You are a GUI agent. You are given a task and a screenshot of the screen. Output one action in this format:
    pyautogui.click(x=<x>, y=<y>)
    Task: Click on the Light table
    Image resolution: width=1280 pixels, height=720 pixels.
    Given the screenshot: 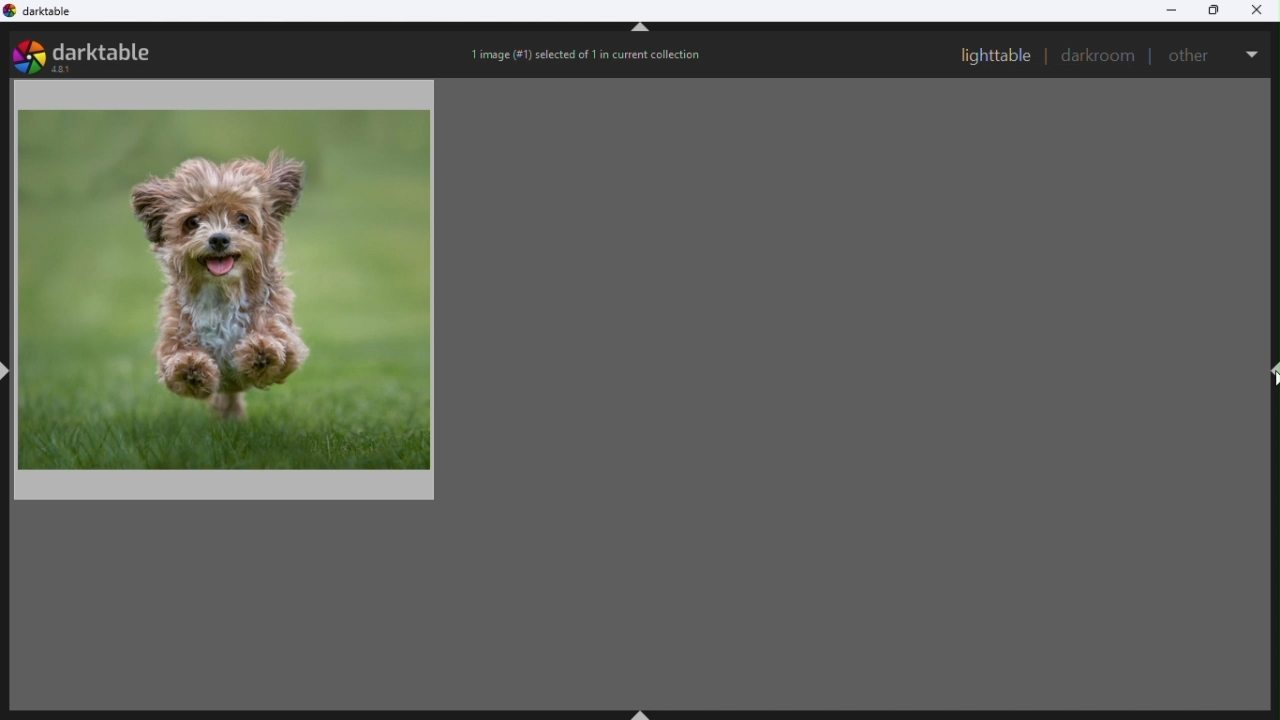 What is the action you would take?
    pyautogui.click(x=996, y=55)
    